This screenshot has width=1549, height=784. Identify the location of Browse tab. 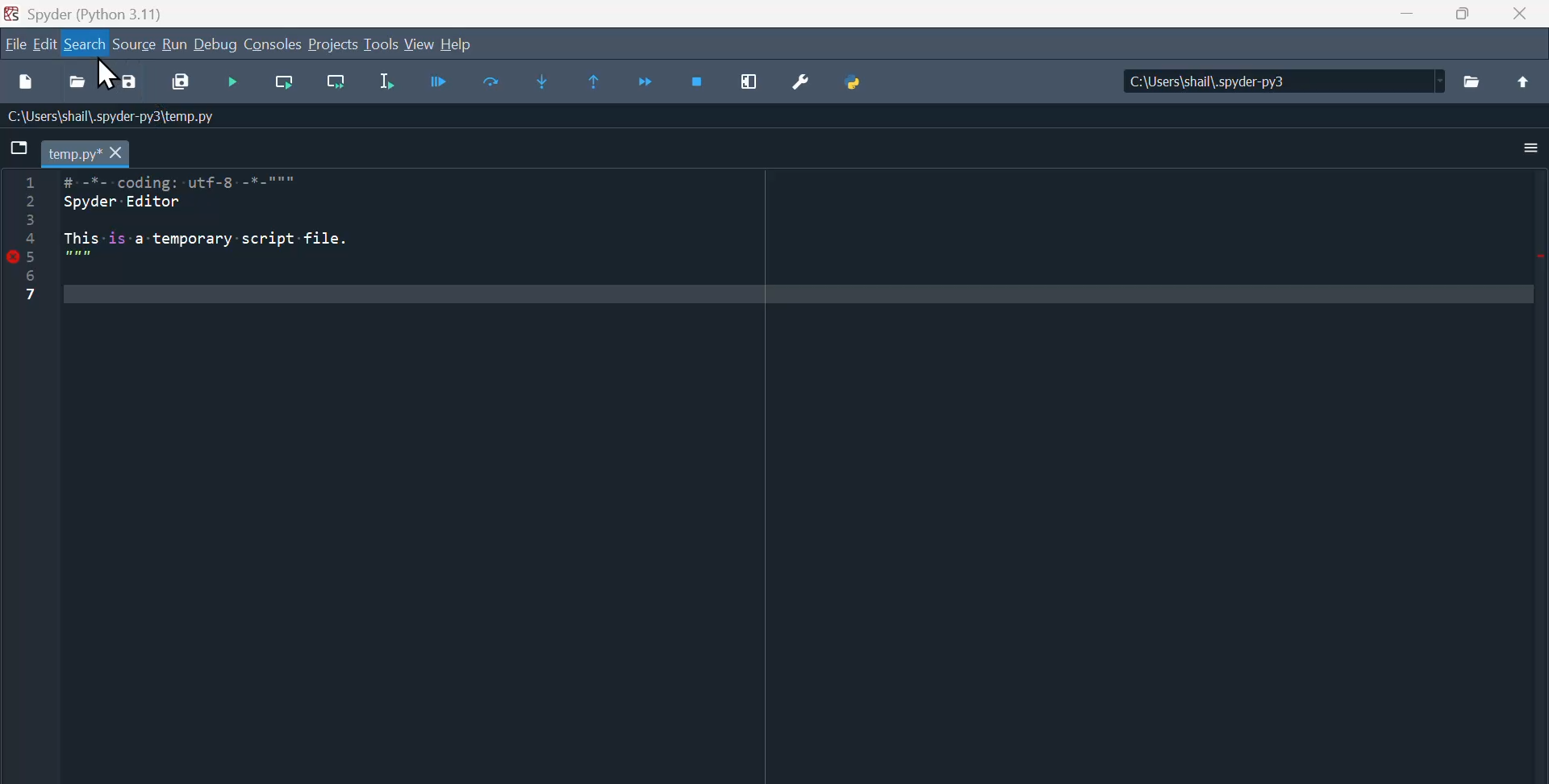
(19, 151).